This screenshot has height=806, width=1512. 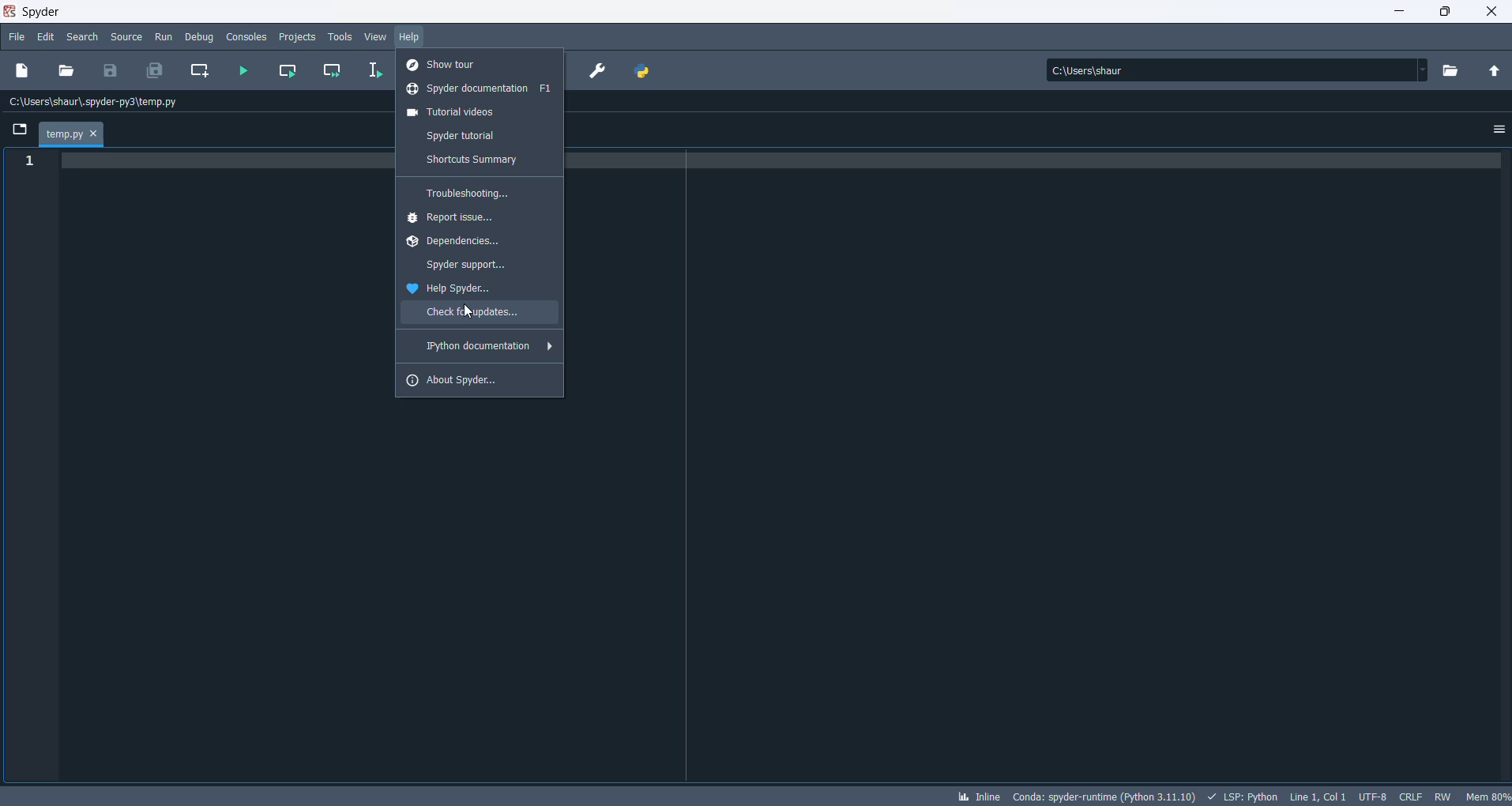 What do you see at coordinates (100, 103) in the screenshot?
I see `file path` at bounding box center [100, 103].